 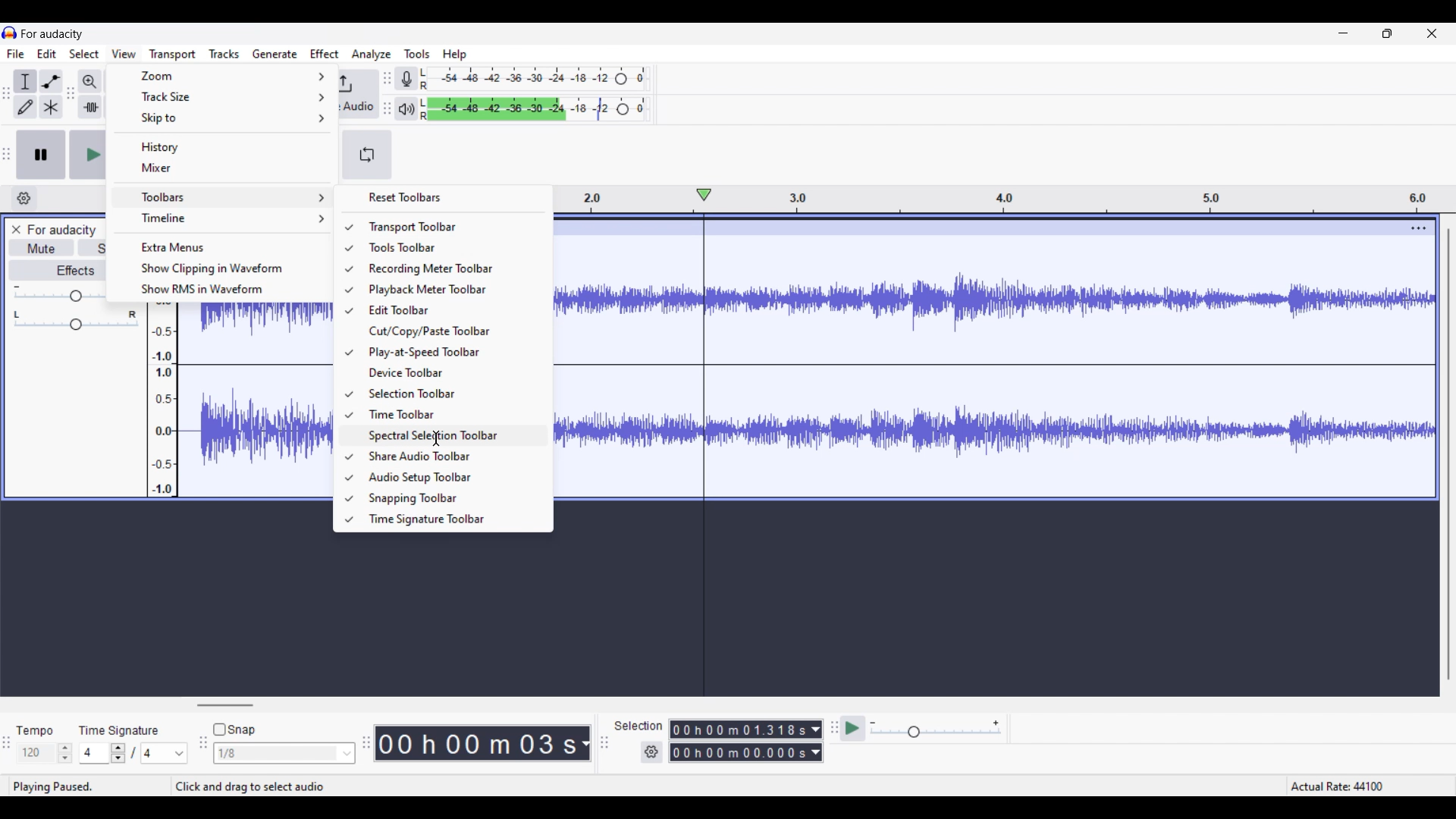 What do you see at coordinates (435, 438) in the screenshot?
I see `Cursor` at bounding box center [435, 438].